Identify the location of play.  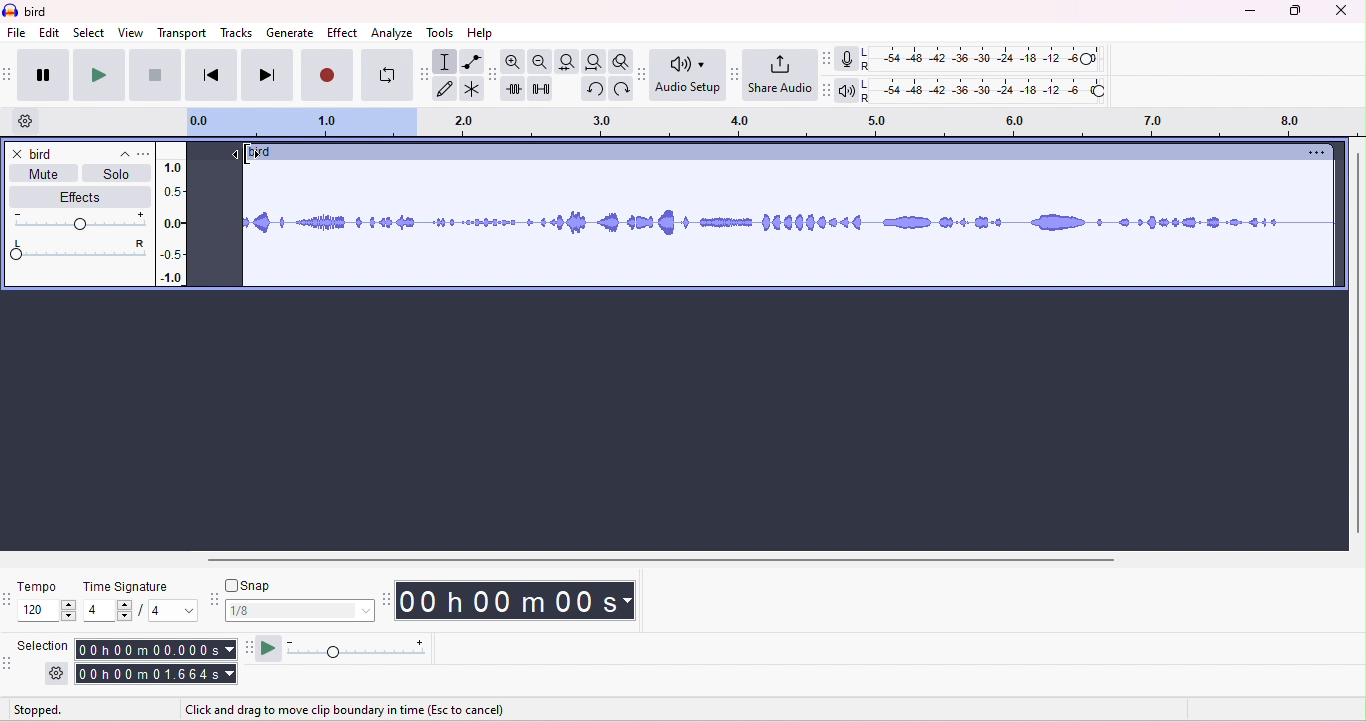
(98, 75).